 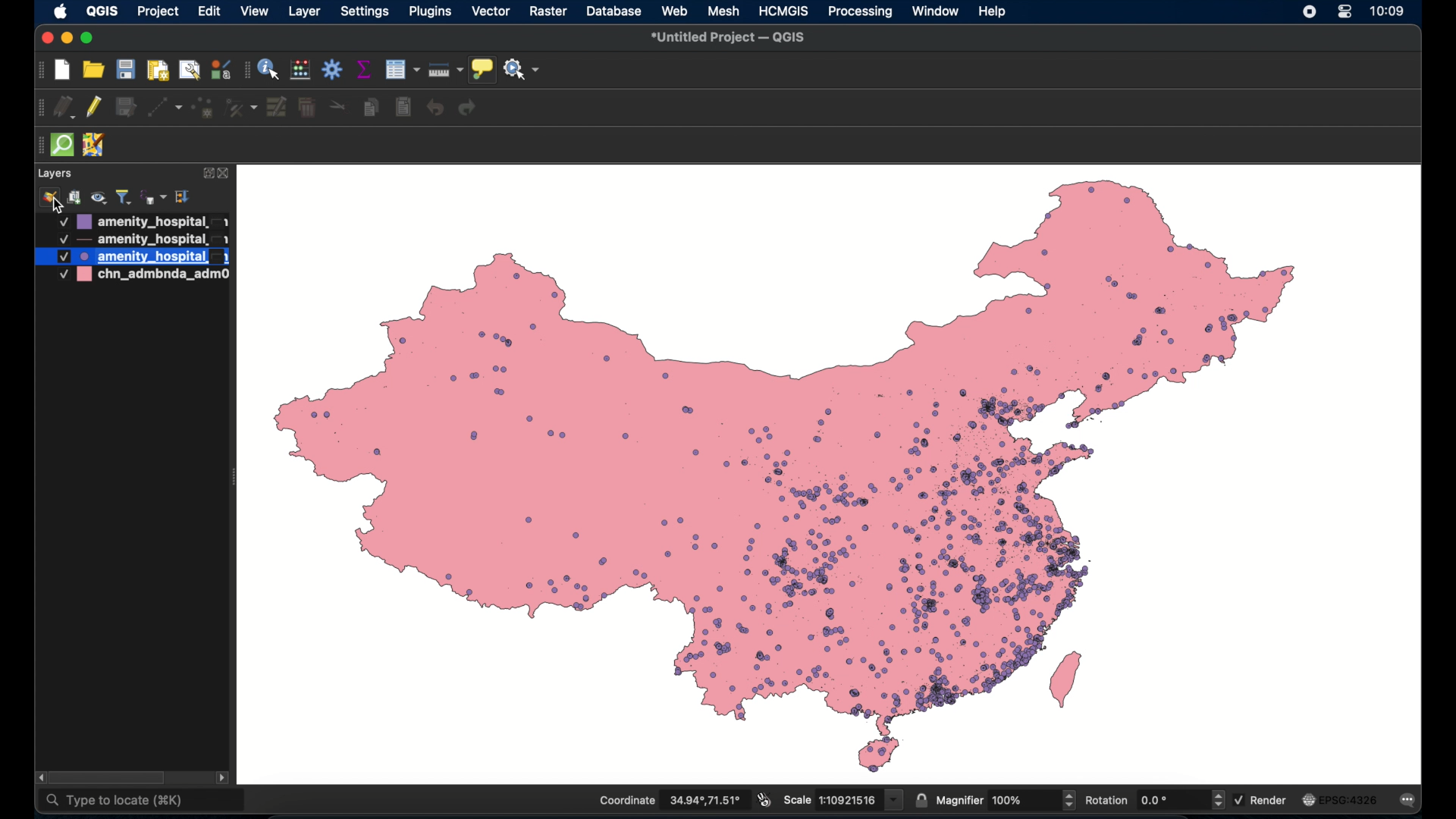 I want to click on cut features, so click(x=338, y=107).